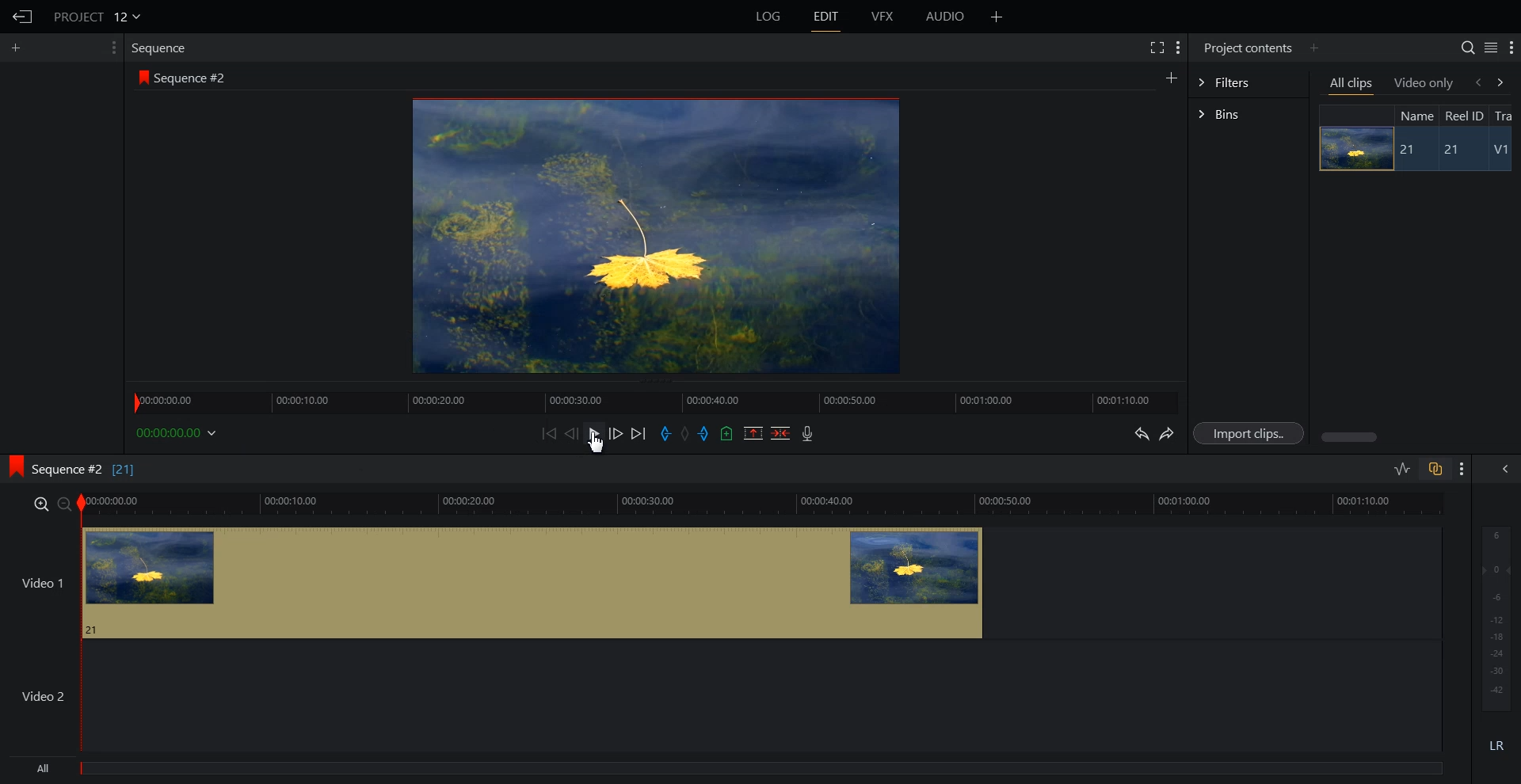  Describe the element at coordinates (721, 696) in the screenshot. I see `Video 2` at that location.